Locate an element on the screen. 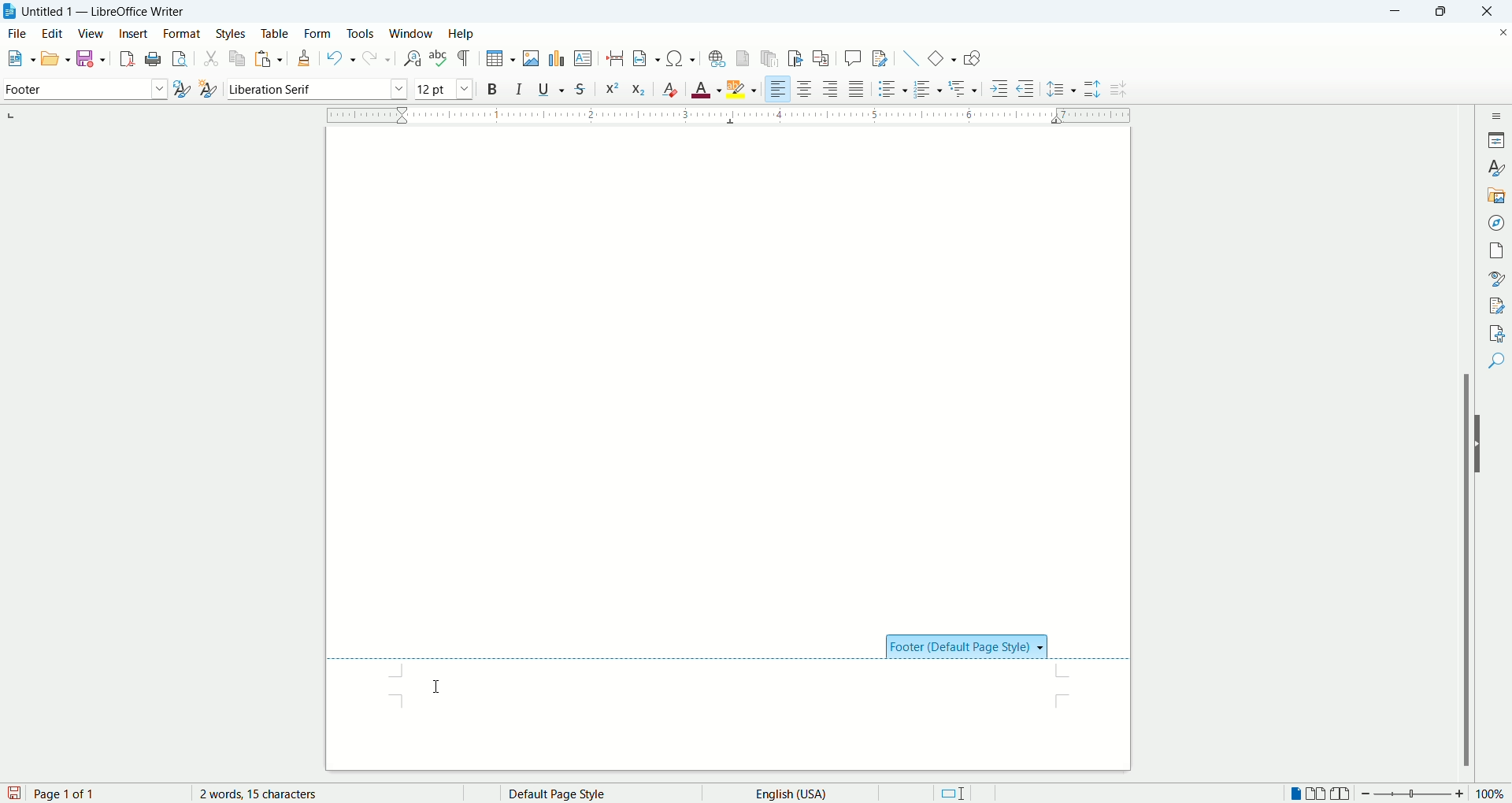 The image size is (1512, 803). formatting marks is located at coordinates (467, 57).